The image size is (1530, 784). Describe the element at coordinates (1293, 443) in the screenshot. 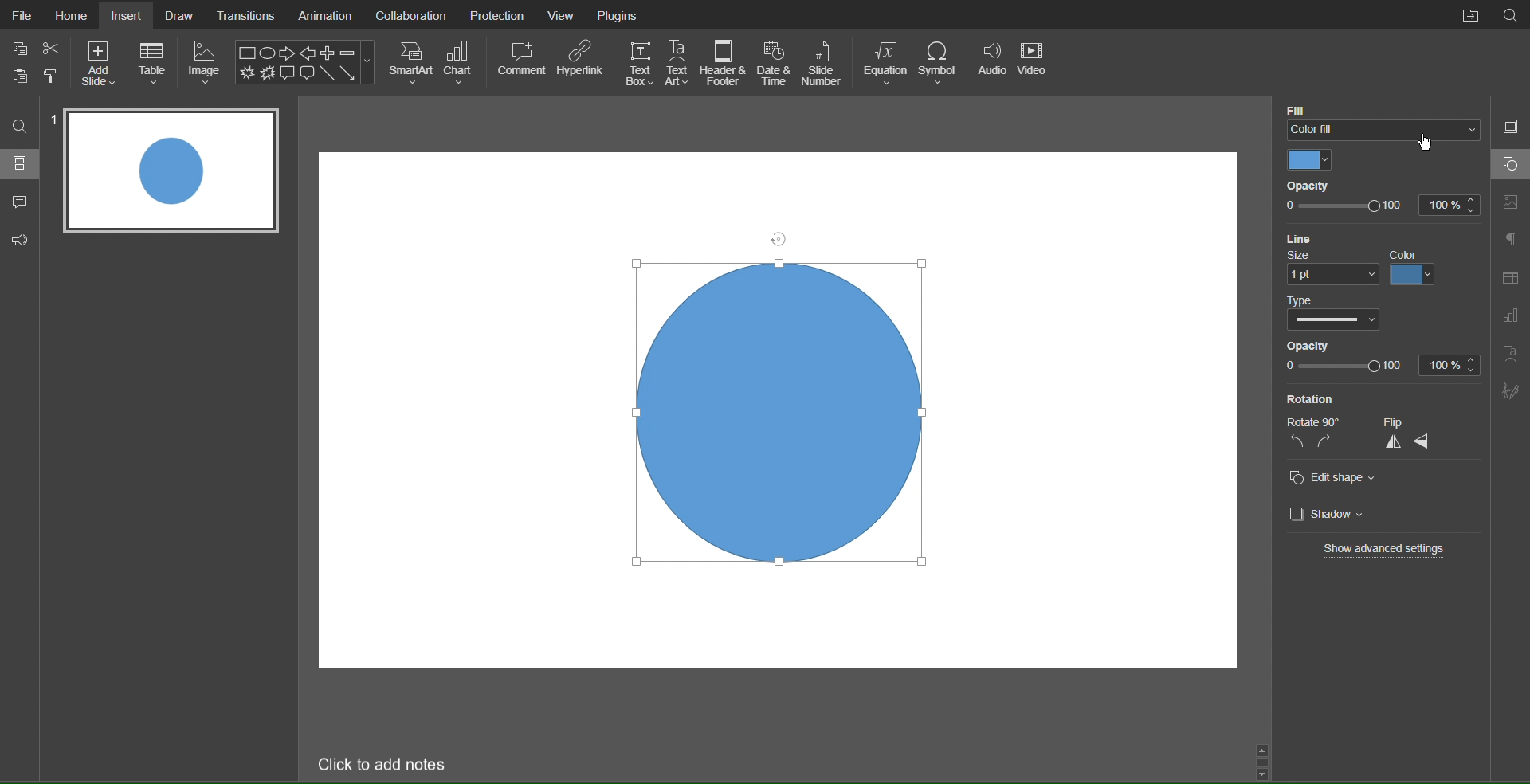

I see `rotate left` at that location.